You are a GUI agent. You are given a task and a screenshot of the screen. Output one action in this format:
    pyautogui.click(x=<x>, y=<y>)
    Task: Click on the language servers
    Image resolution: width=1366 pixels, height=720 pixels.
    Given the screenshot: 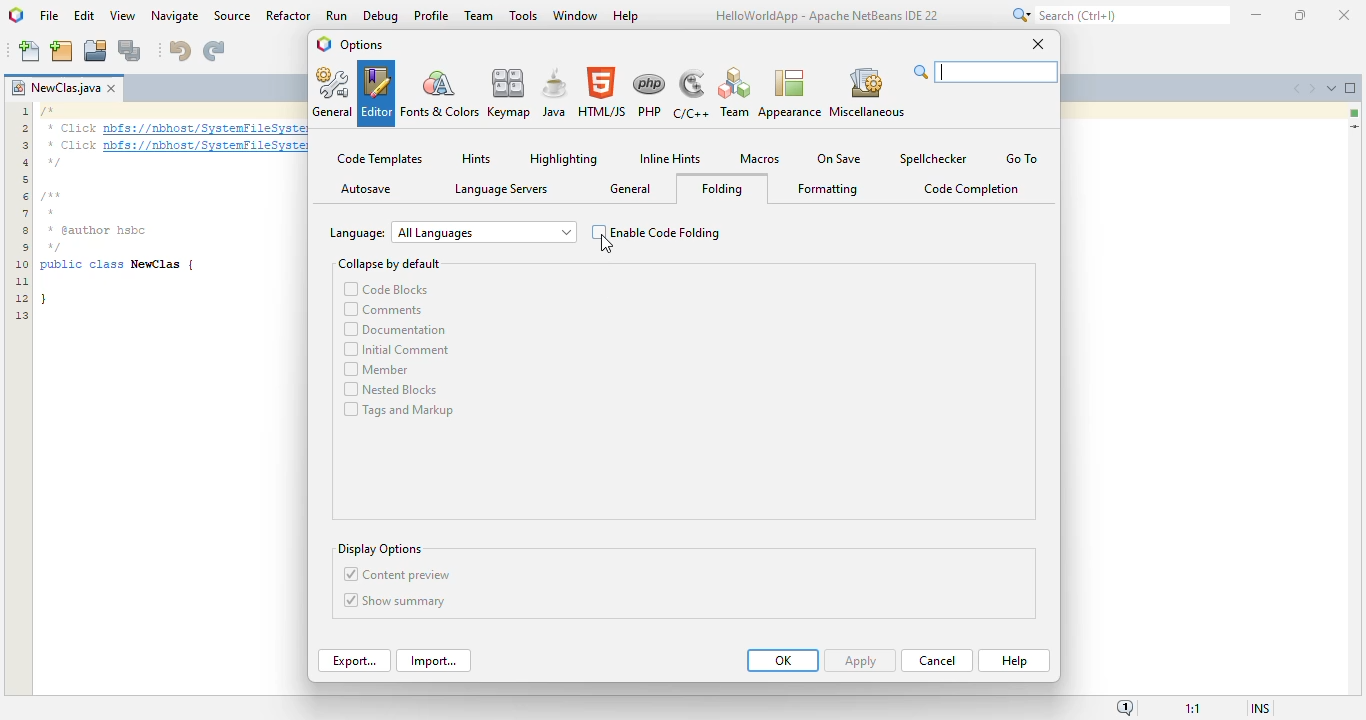 What is the action you would take?
    pyautogui.click(x=501, y=189)
    